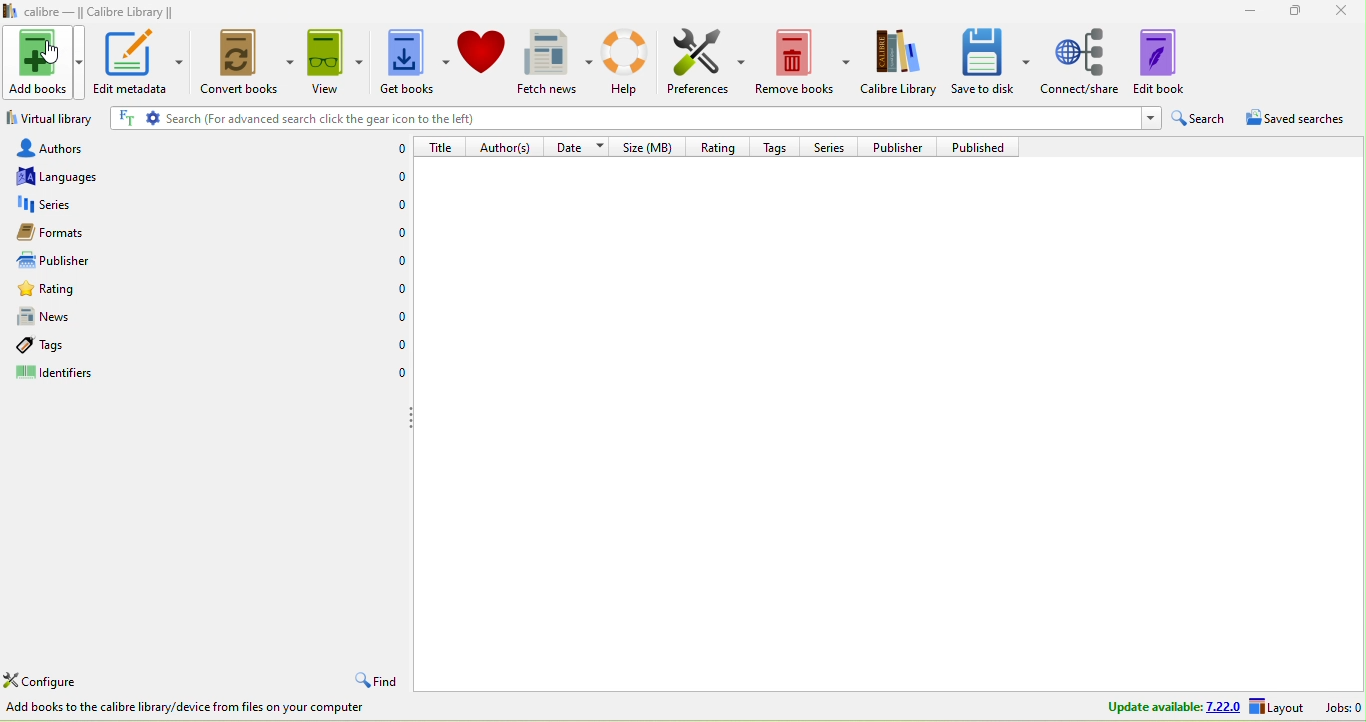 The image size is (1366, 722). Describe the element at coordinates (724, 147) in the screenshot. I see `rating` at that location.